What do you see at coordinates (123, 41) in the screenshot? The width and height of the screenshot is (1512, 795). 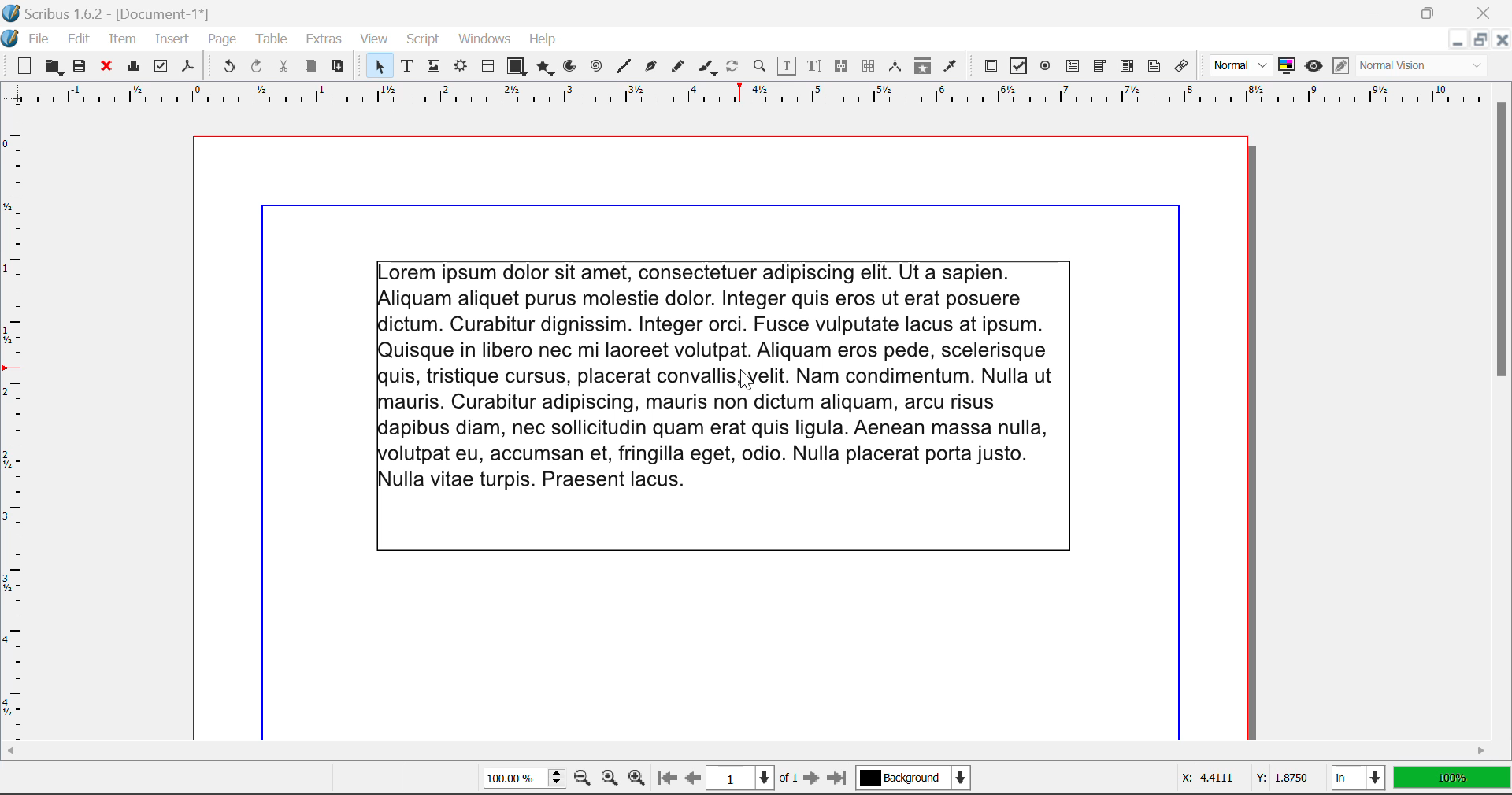 I see `Item` at bounding box center [123, 41].